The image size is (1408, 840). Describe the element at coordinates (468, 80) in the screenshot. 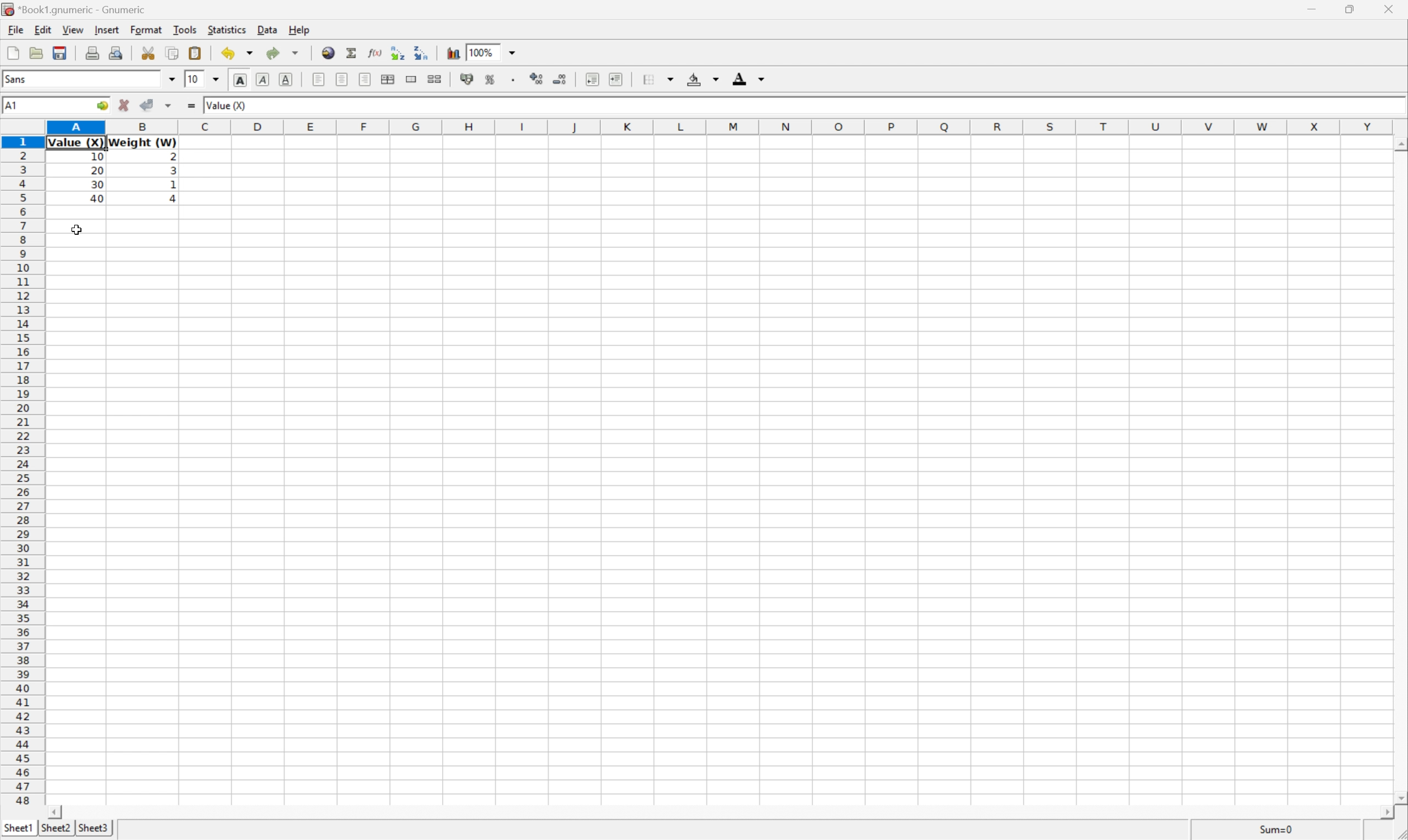

I see `Format selection as accounting` at that location.